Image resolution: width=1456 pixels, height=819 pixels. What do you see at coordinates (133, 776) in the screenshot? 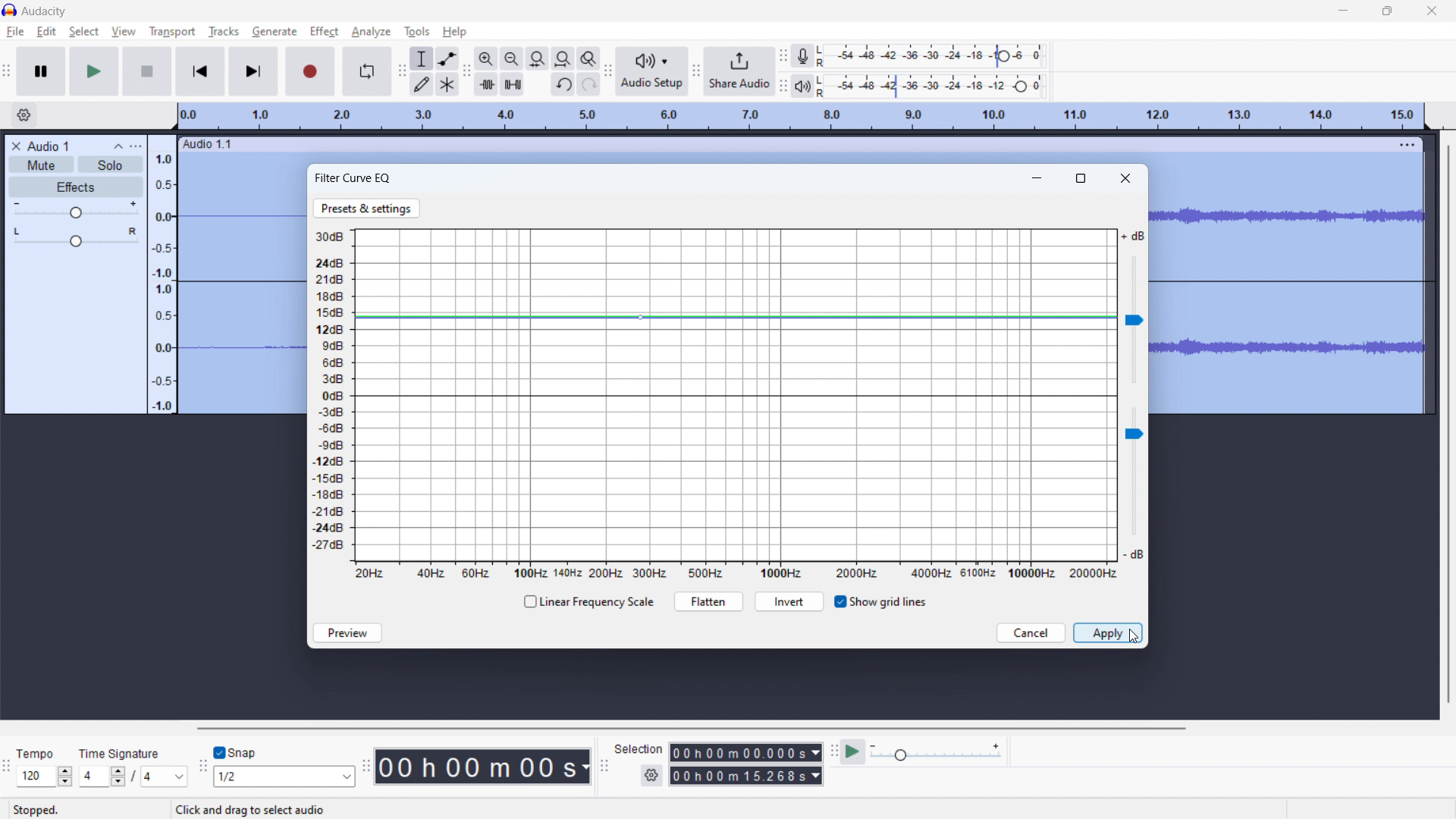
I see `4/4 (select time signature)` at bounding box center [133, 776].